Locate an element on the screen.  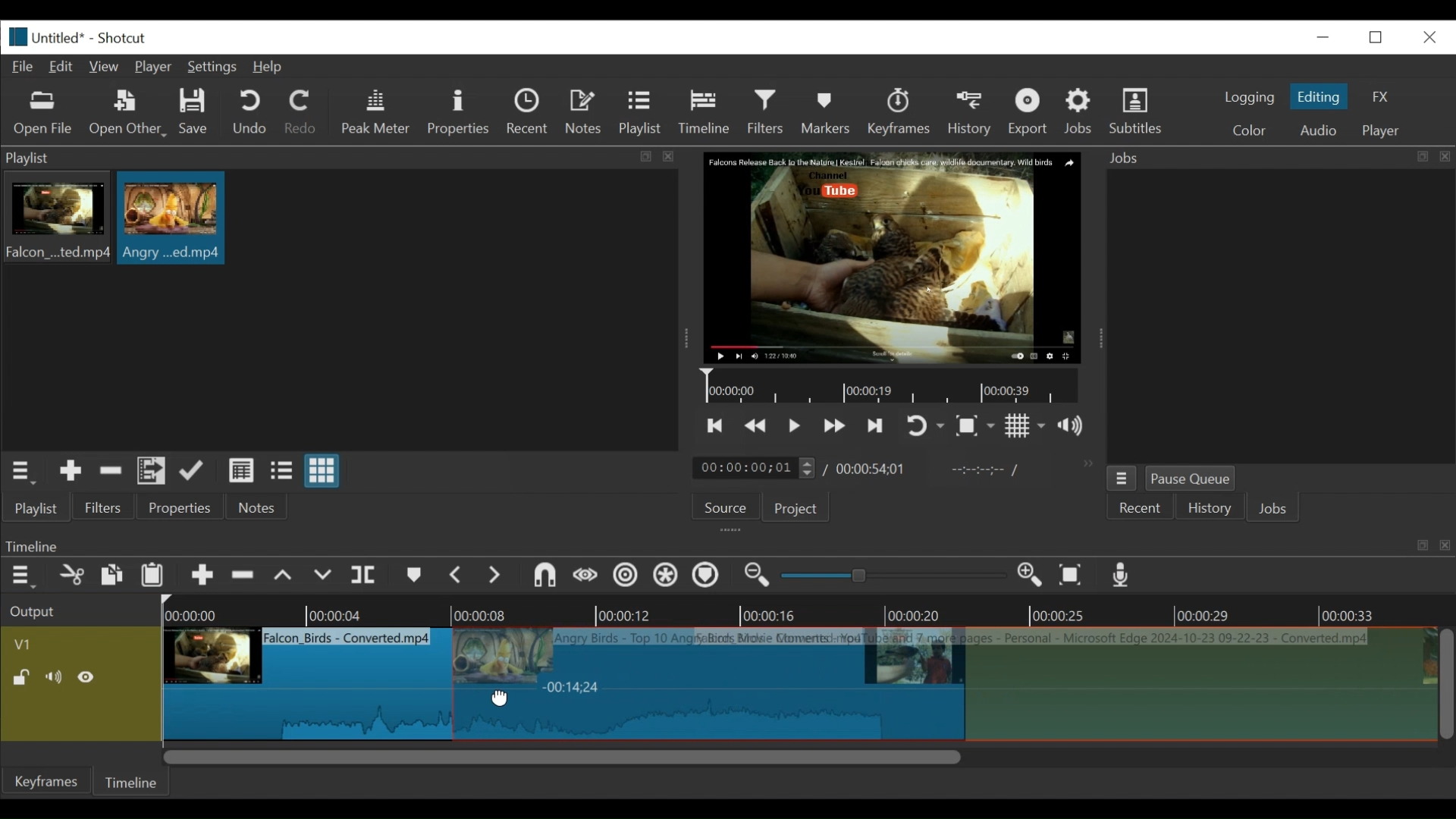
color is located at coordinates (1248, 132).